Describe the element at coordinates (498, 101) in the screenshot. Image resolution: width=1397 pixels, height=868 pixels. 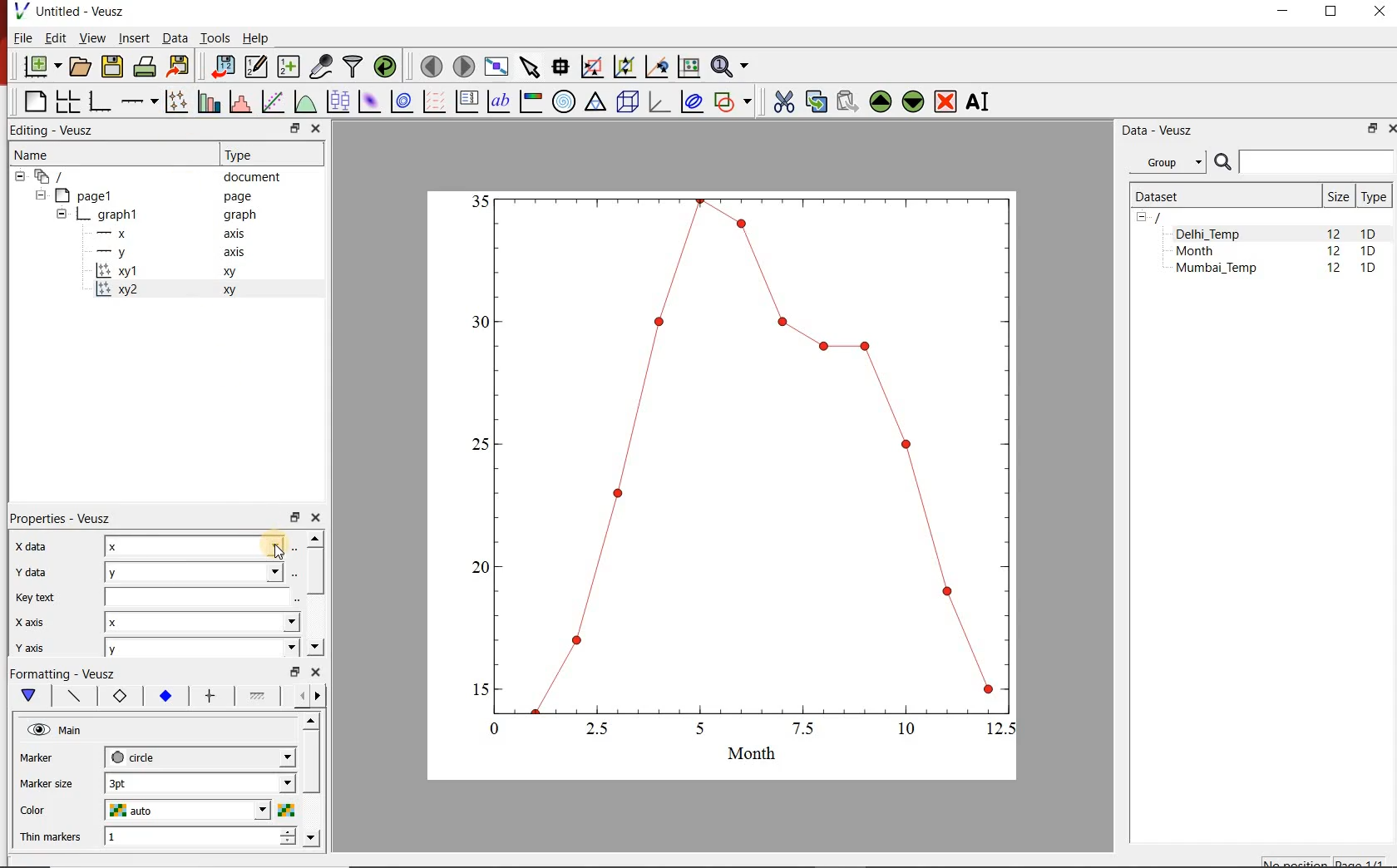
I see `text label` at that location.